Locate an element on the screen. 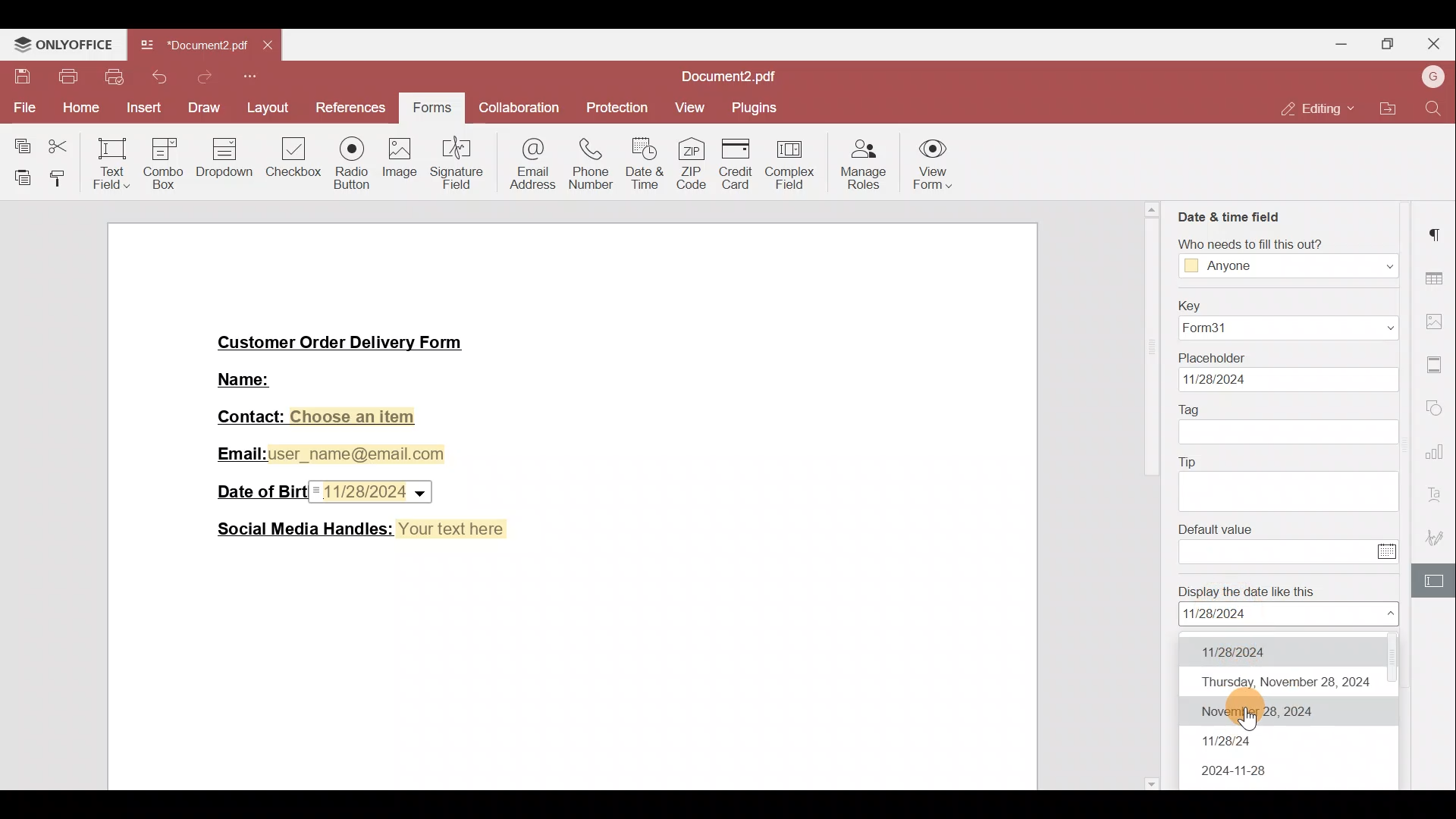 Image resolution: width=1456 pixels, height=819 pixels. Complex field is located at coordinates (791, 165).